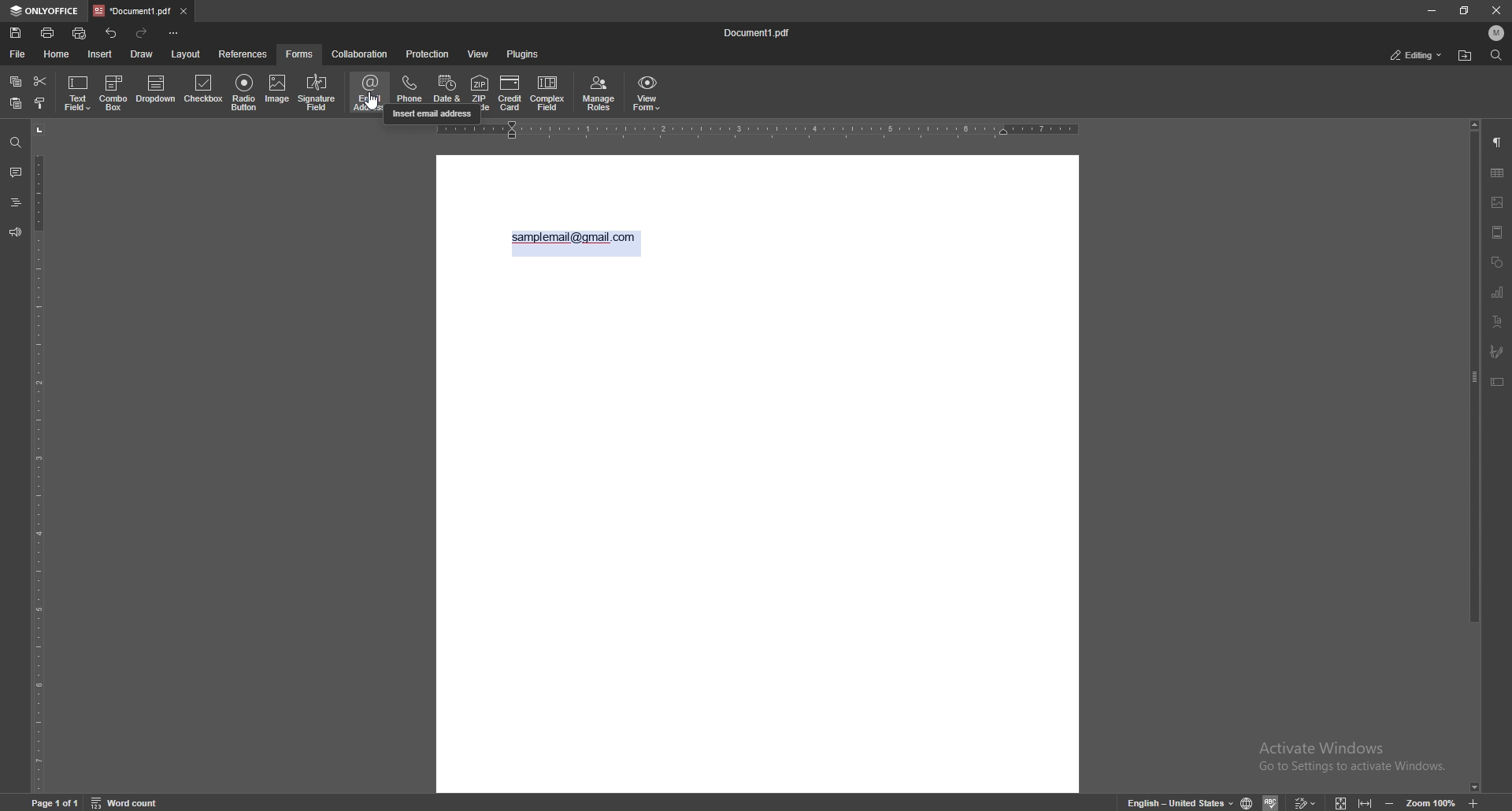 The width and height of the screenshot is (1512, 811). What do you see at coordinates (1432, 10) in the screenshot?
I see `minimize` at bounding box center [1432, 10].